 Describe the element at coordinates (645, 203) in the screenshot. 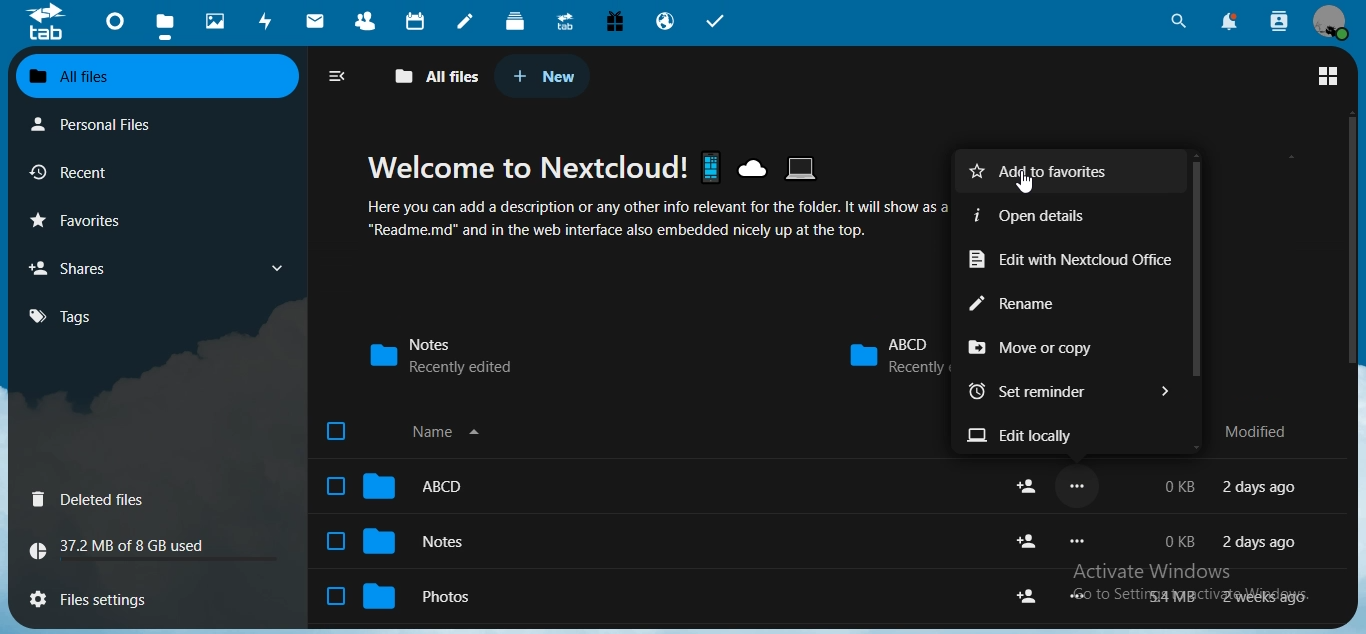

I see `text` at that location.